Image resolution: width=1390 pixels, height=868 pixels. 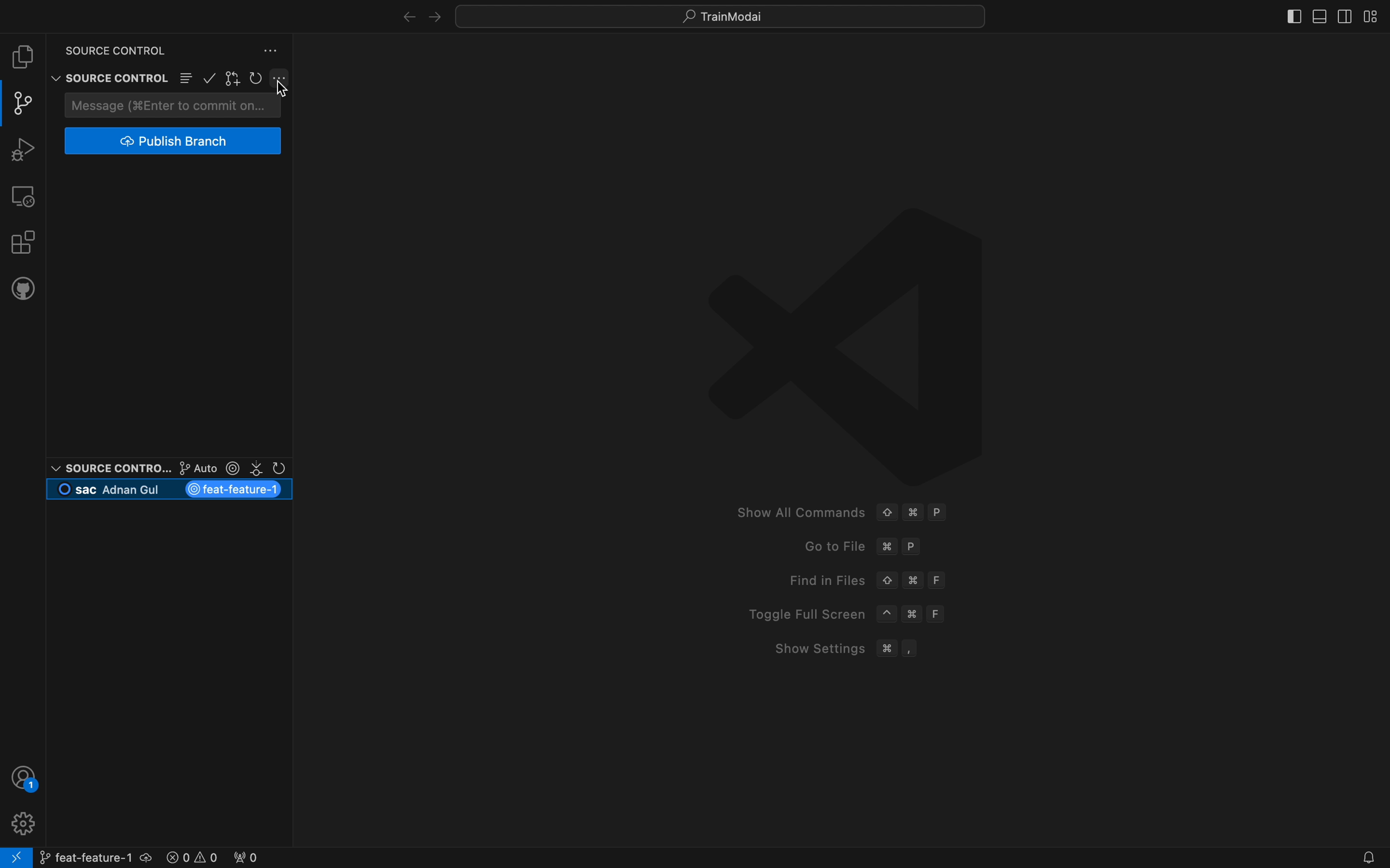 What do you see at coordinates (213, 855) in the screenshot?
I see `error logs` at bounding box center [213, 855].